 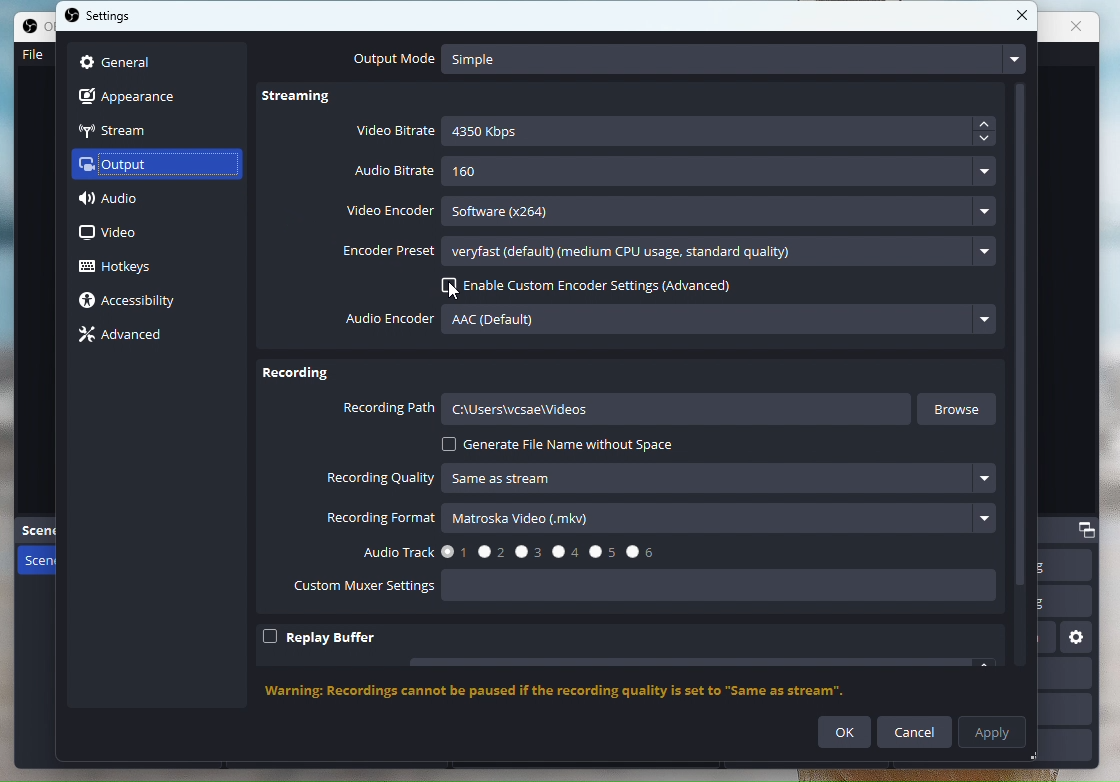 I want to click on Stream, so click(x=136, y=129).